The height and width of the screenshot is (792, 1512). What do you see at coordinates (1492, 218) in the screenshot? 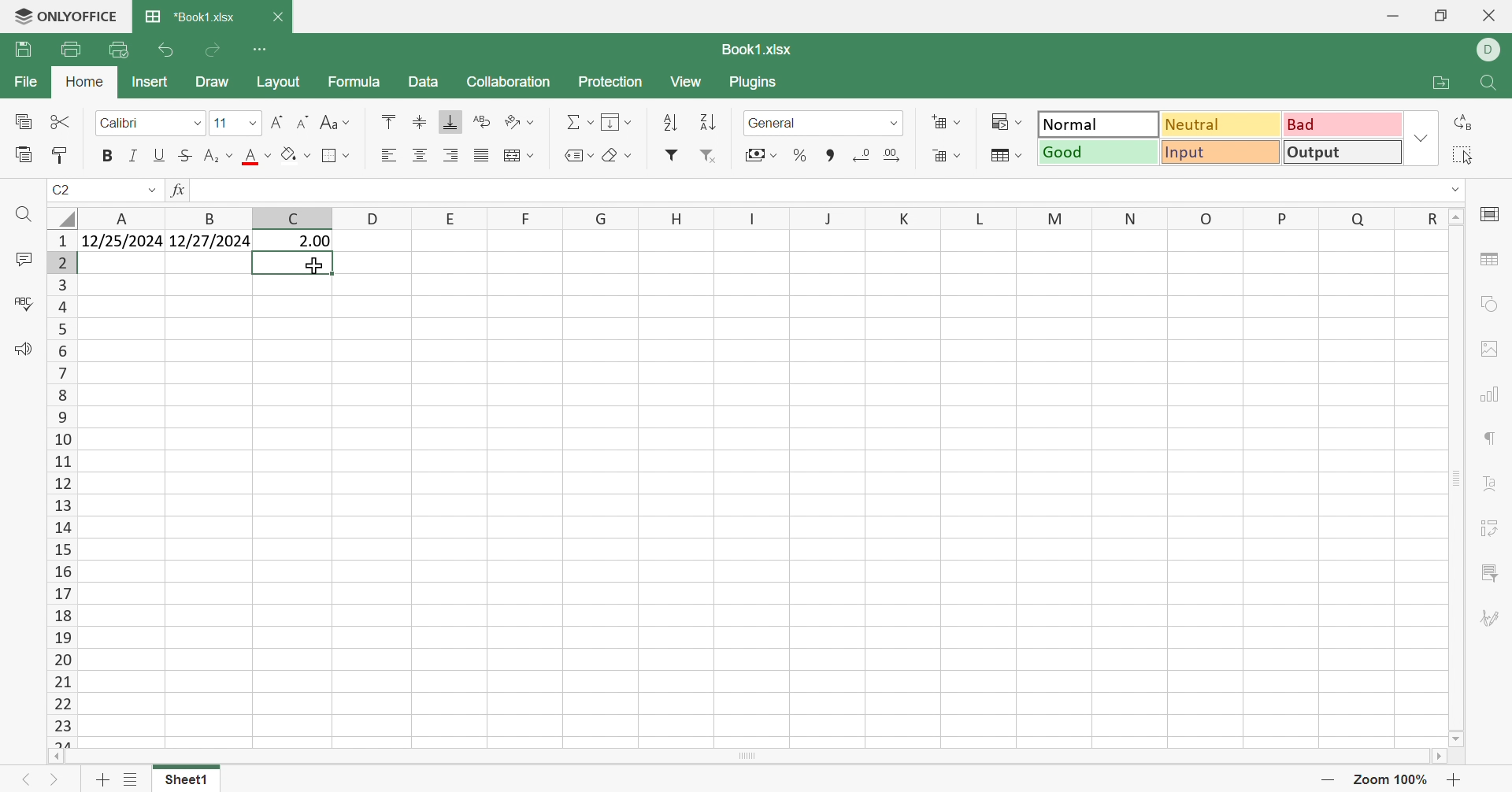
I see `Cell settings` at bounding box center [1492, 218].